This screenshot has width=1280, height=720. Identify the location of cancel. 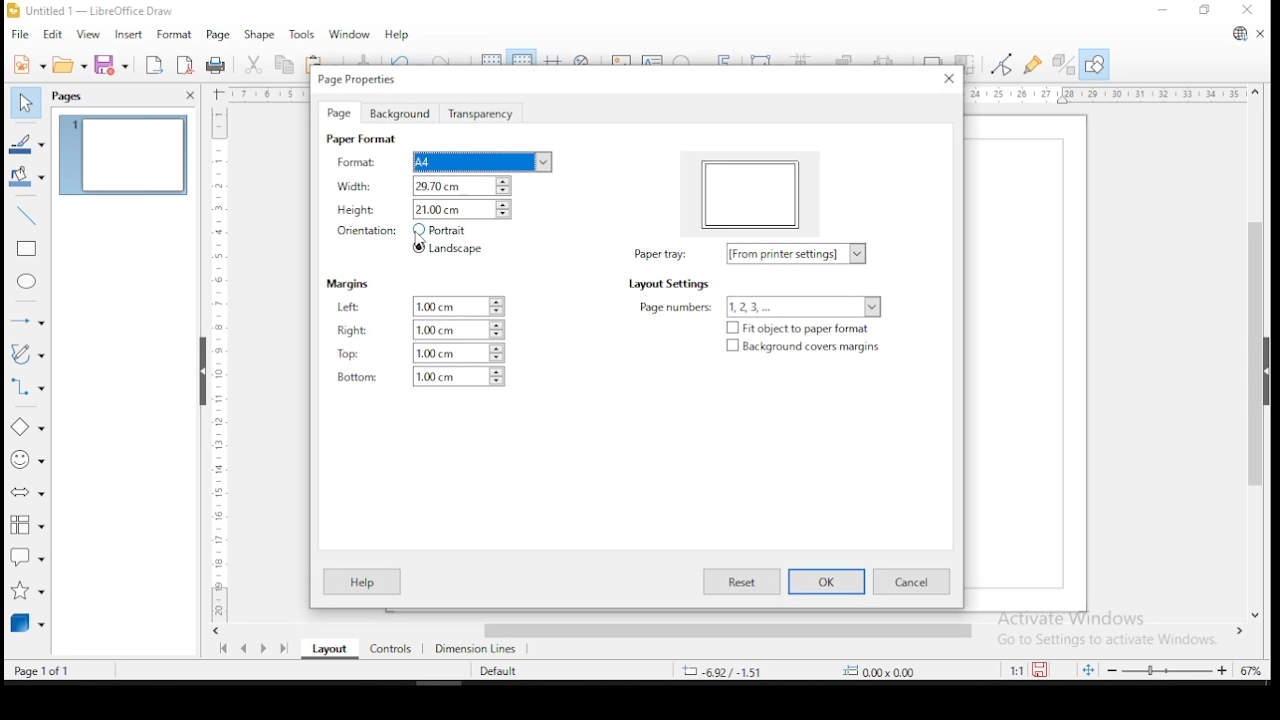
(912, 582).